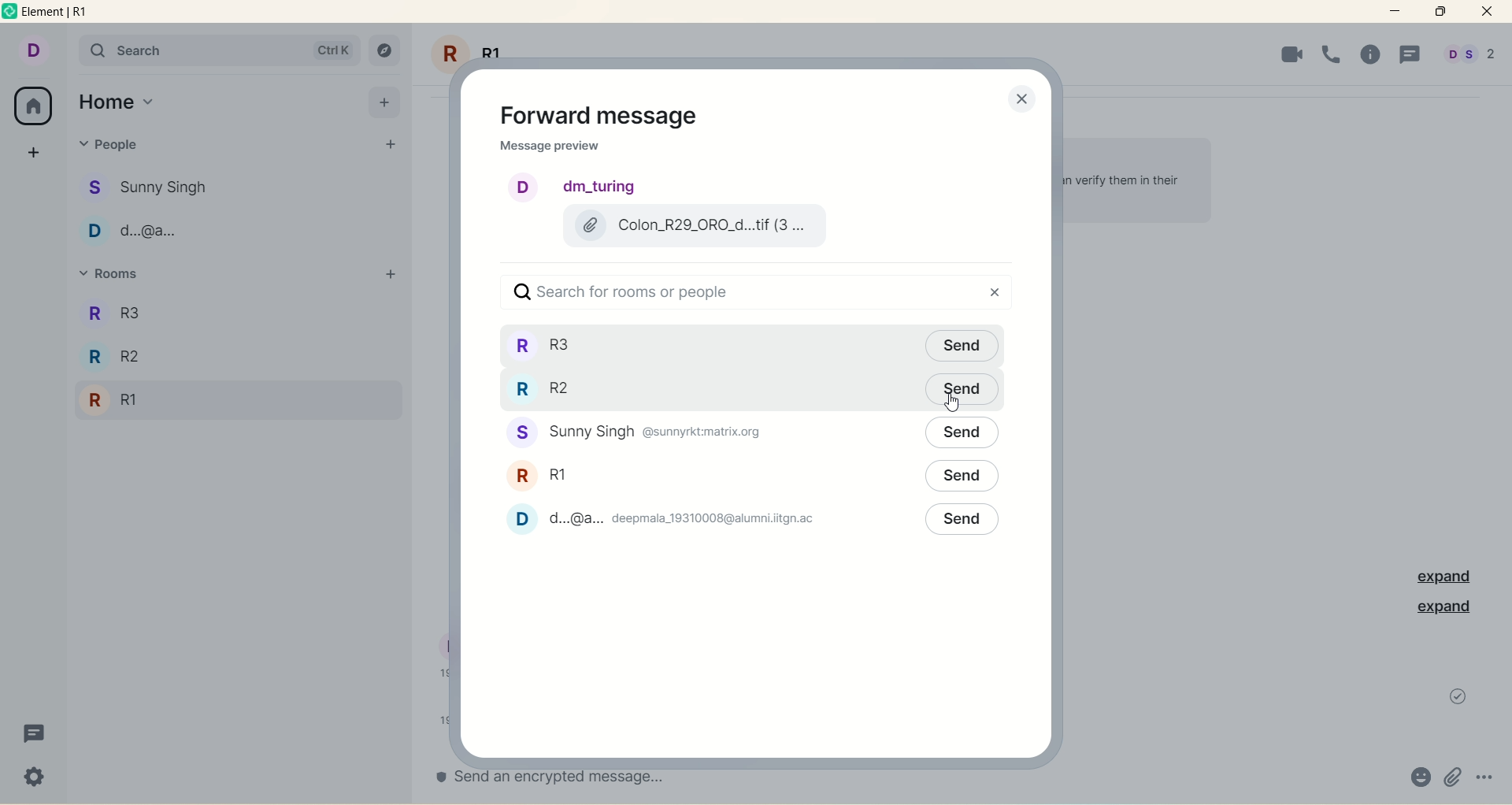  I want to click on search, so click(218, 50).